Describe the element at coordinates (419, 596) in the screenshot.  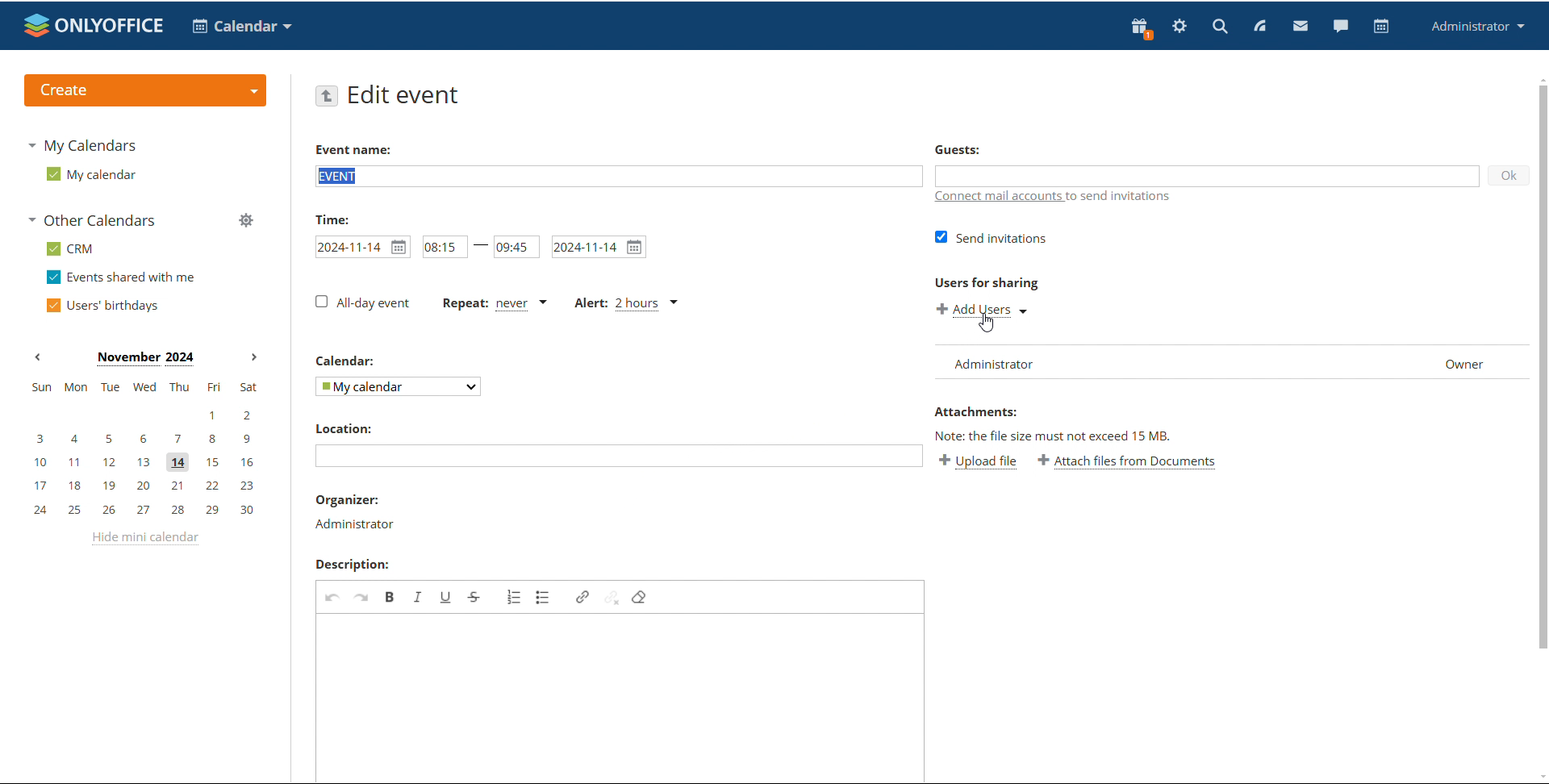
I see `italic` at that location.